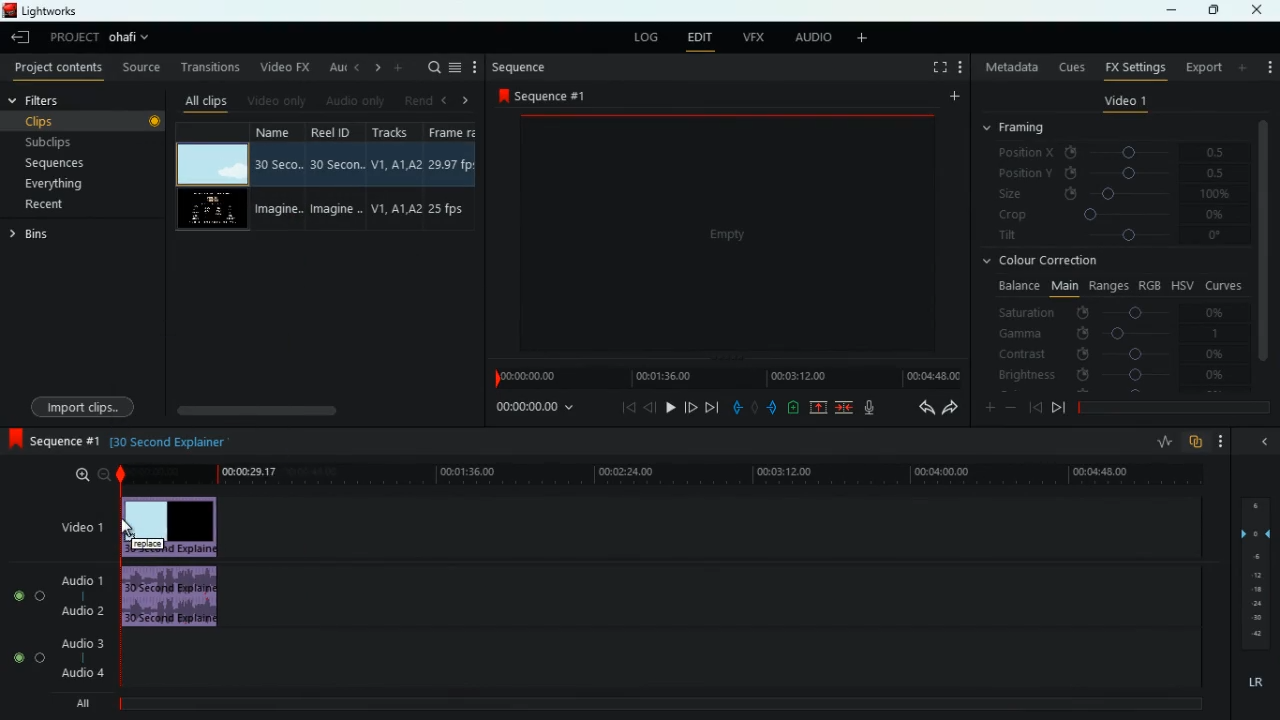 The height and width of the screenshot is (720, 1280). Describe the element at coordinates (793, 409) in the screenshot. I see `battery` at that location.